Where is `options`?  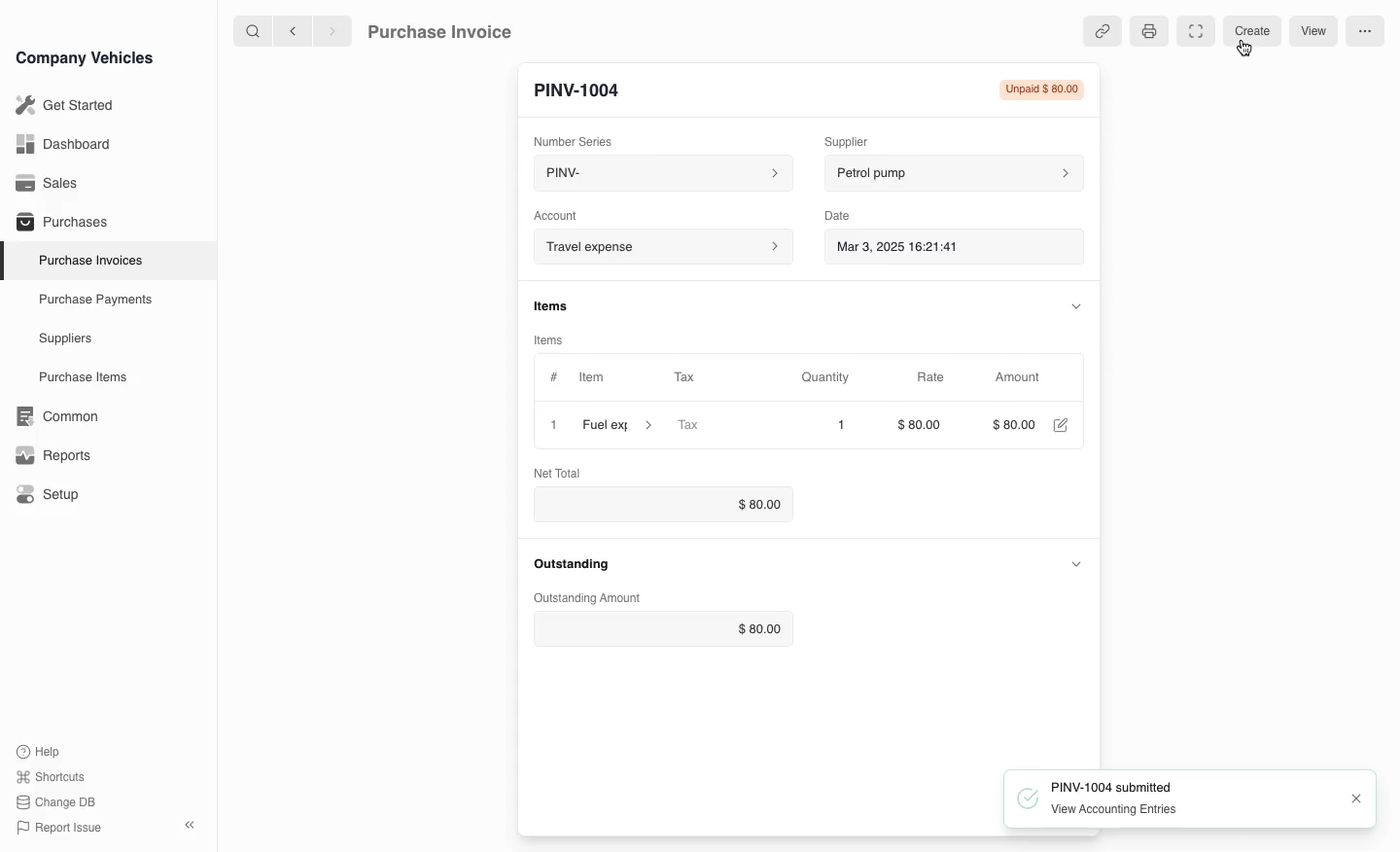 options is located at coordinates (1364, 32).